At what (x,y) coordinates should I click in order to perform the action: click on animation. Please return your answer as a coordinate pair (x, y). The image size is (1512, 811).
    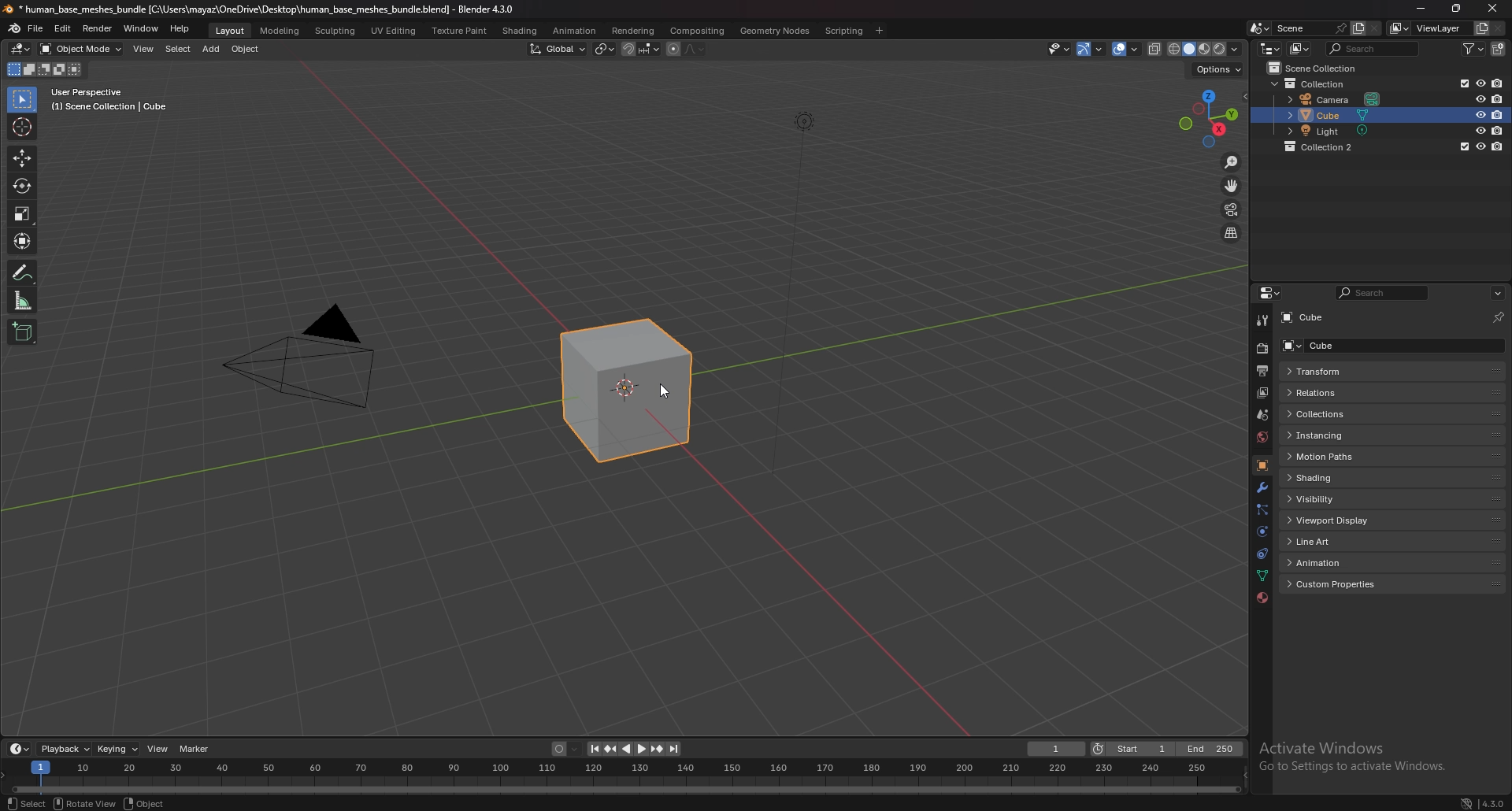
    Looking at the image, I should click on (1341, 561).